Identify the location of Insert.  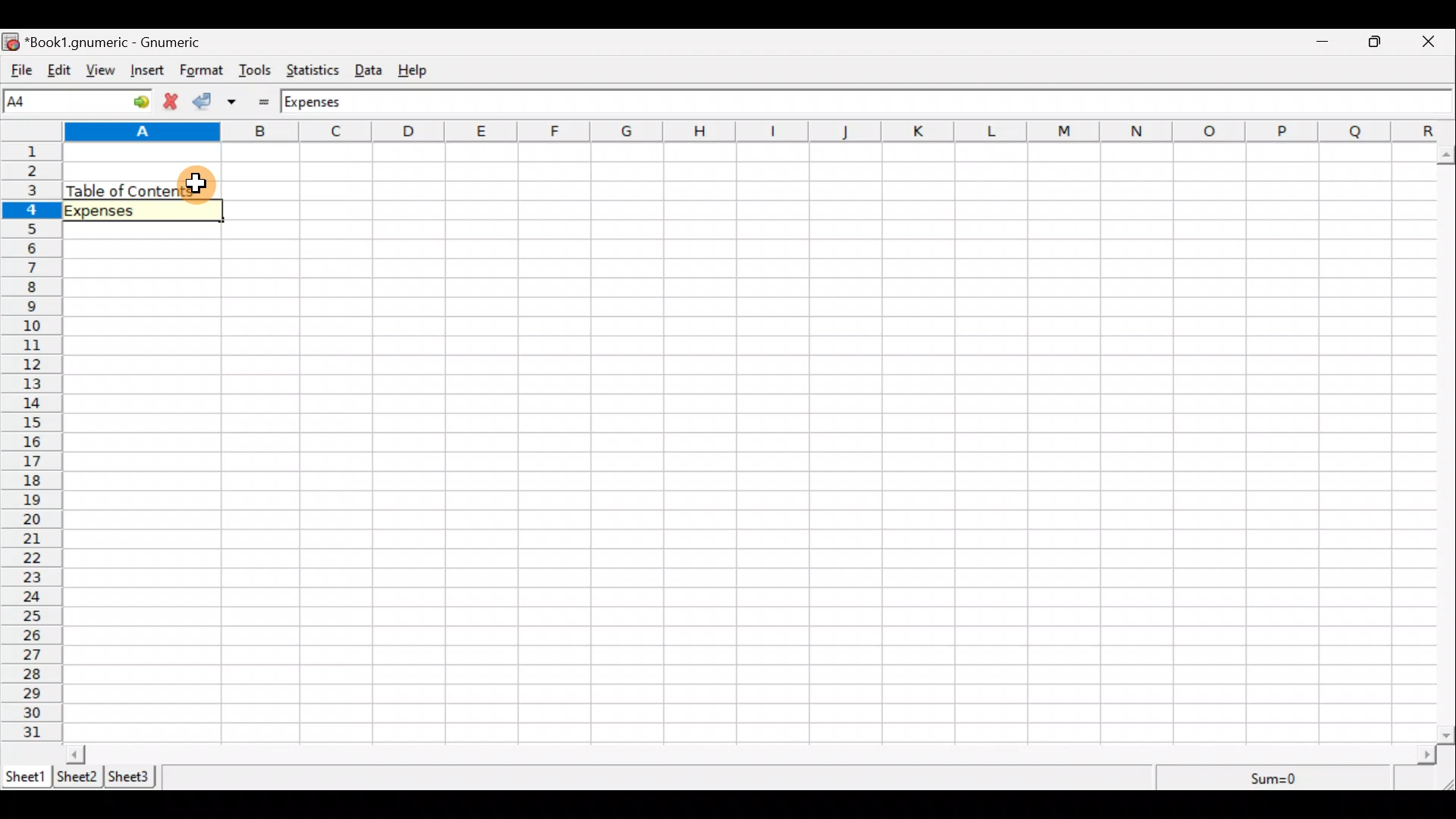
(149, 72).